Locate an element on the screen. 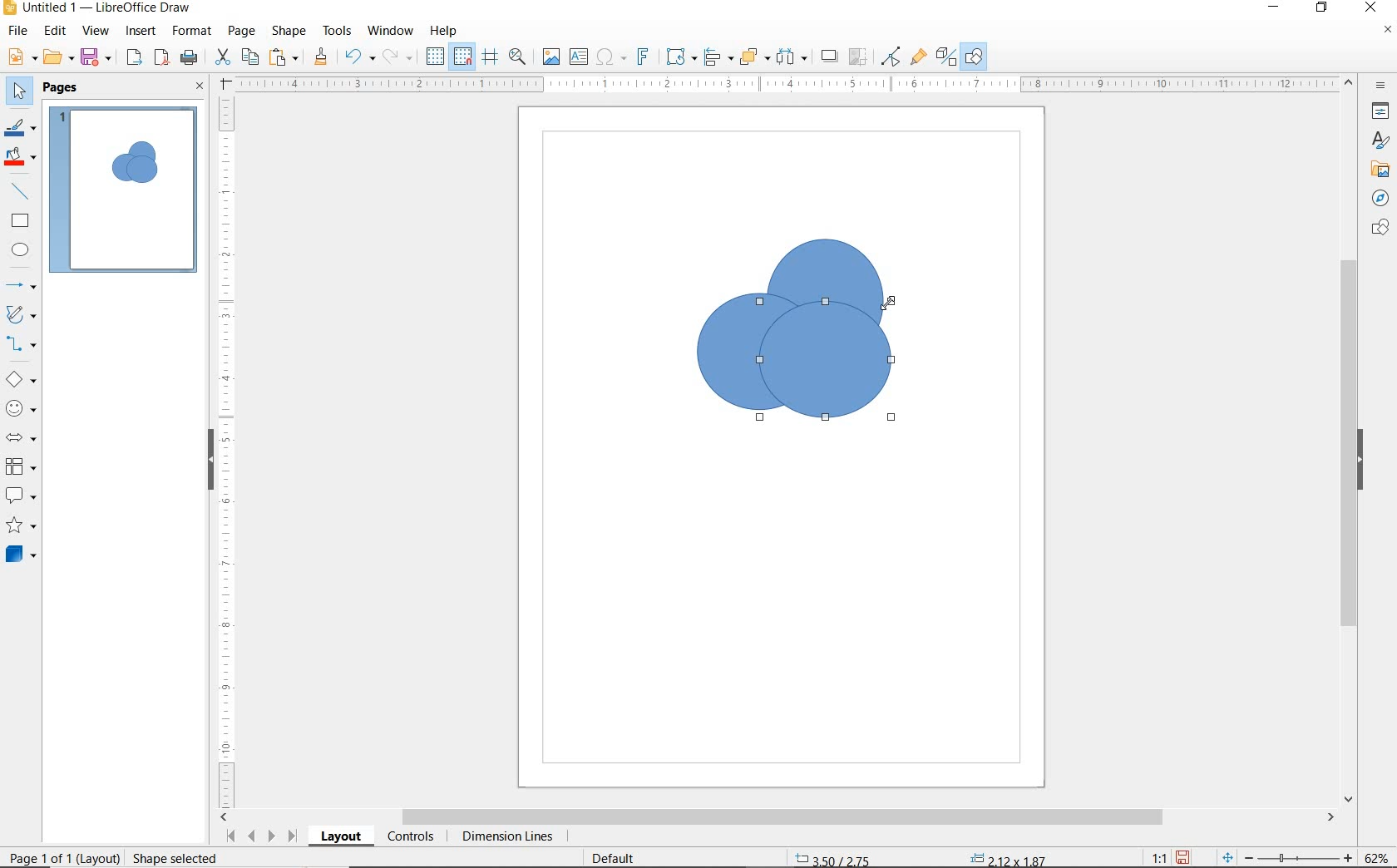 The height and width of the screenshot is (868, 1397). CALLOUT SHAPES is located at coordinates (20, 496).